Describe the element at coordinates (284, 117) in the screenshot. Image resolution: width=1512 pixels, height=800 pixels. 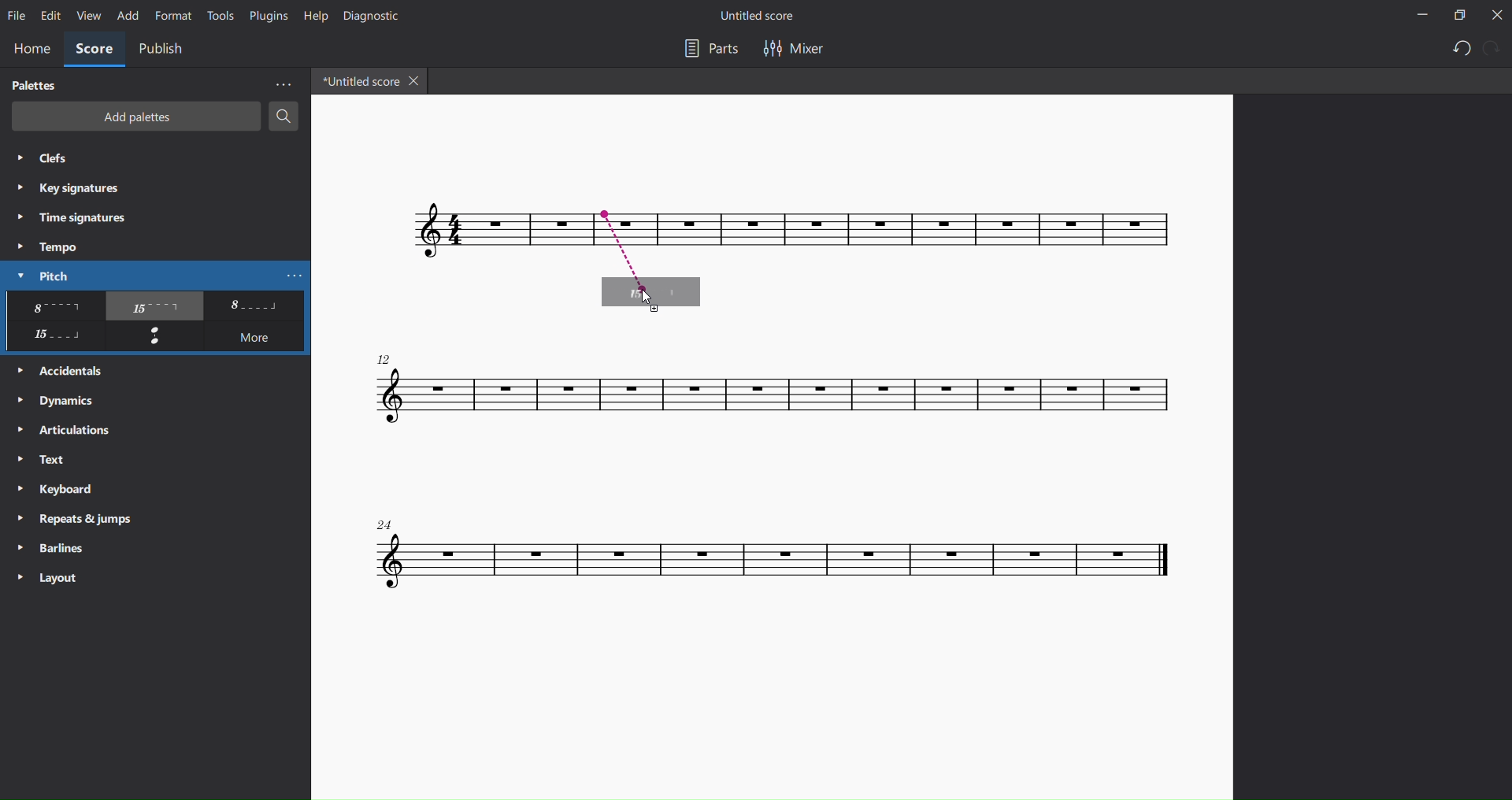
I see `search` at that location.